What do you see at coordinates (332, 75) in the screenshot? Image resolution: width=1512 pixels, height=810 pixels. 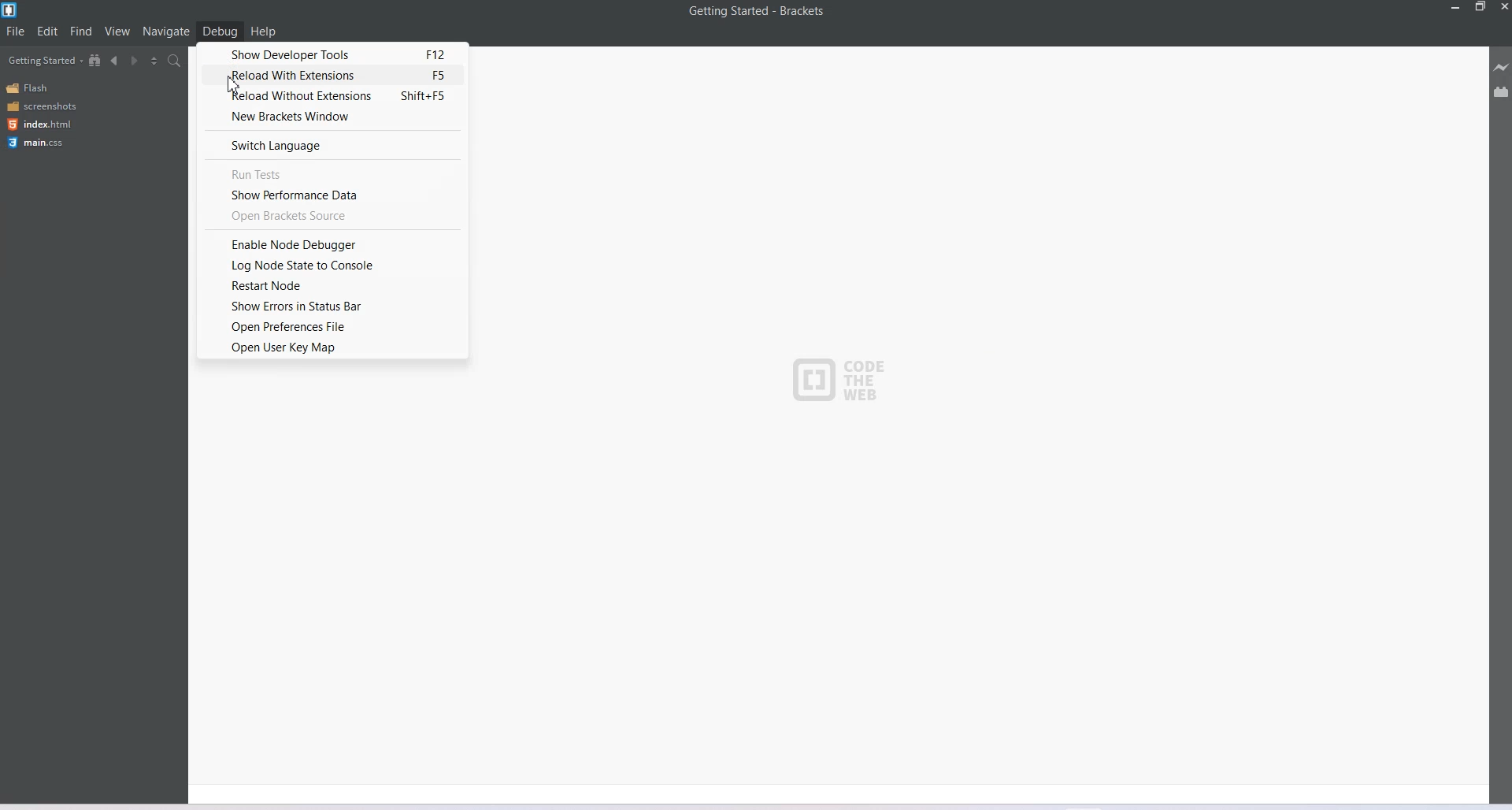 I see `Reload with extensions` at bounding box center [332, 75].